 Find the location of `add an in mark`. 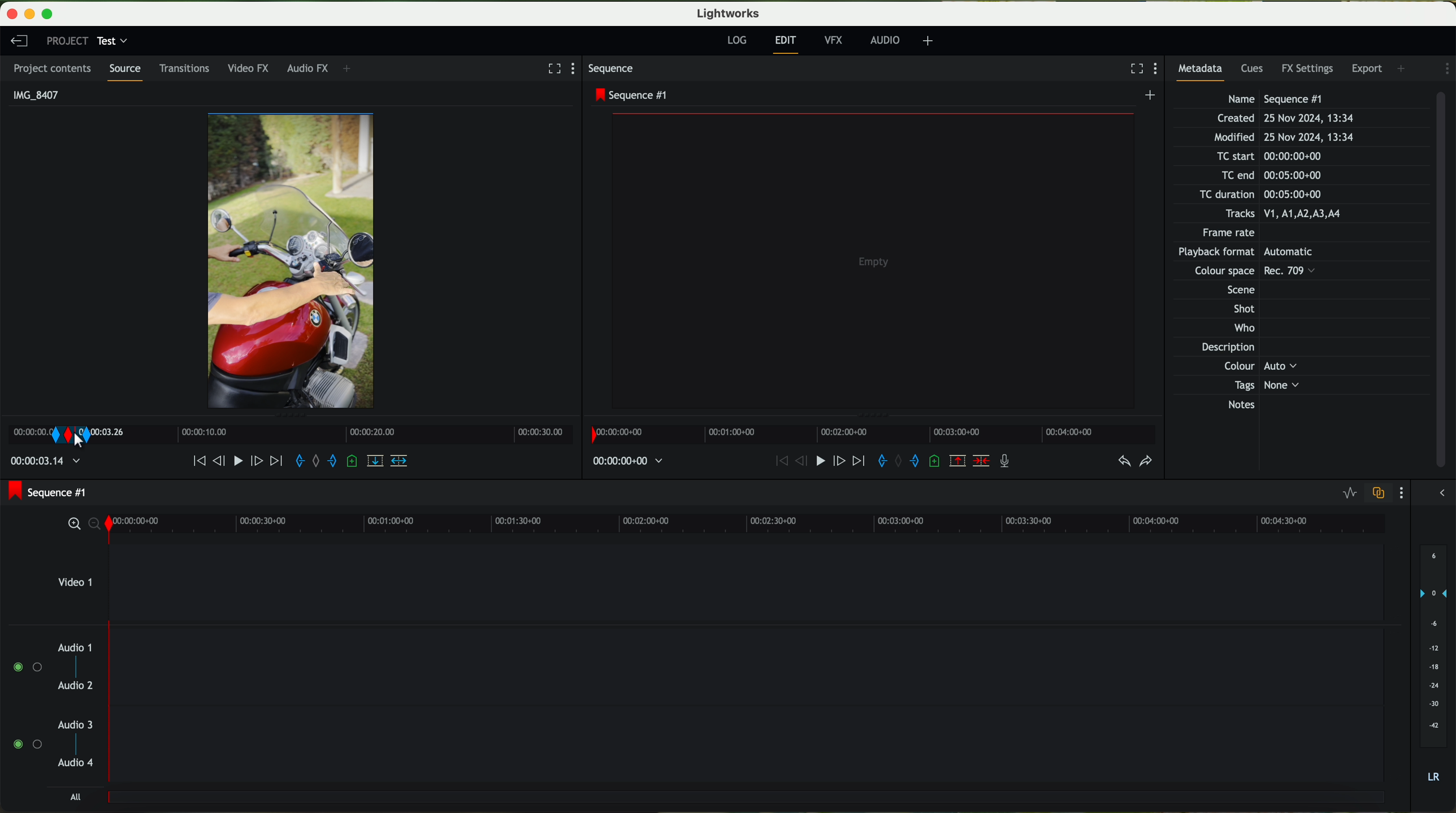

add an in mark is located at coordinates (301, 462).